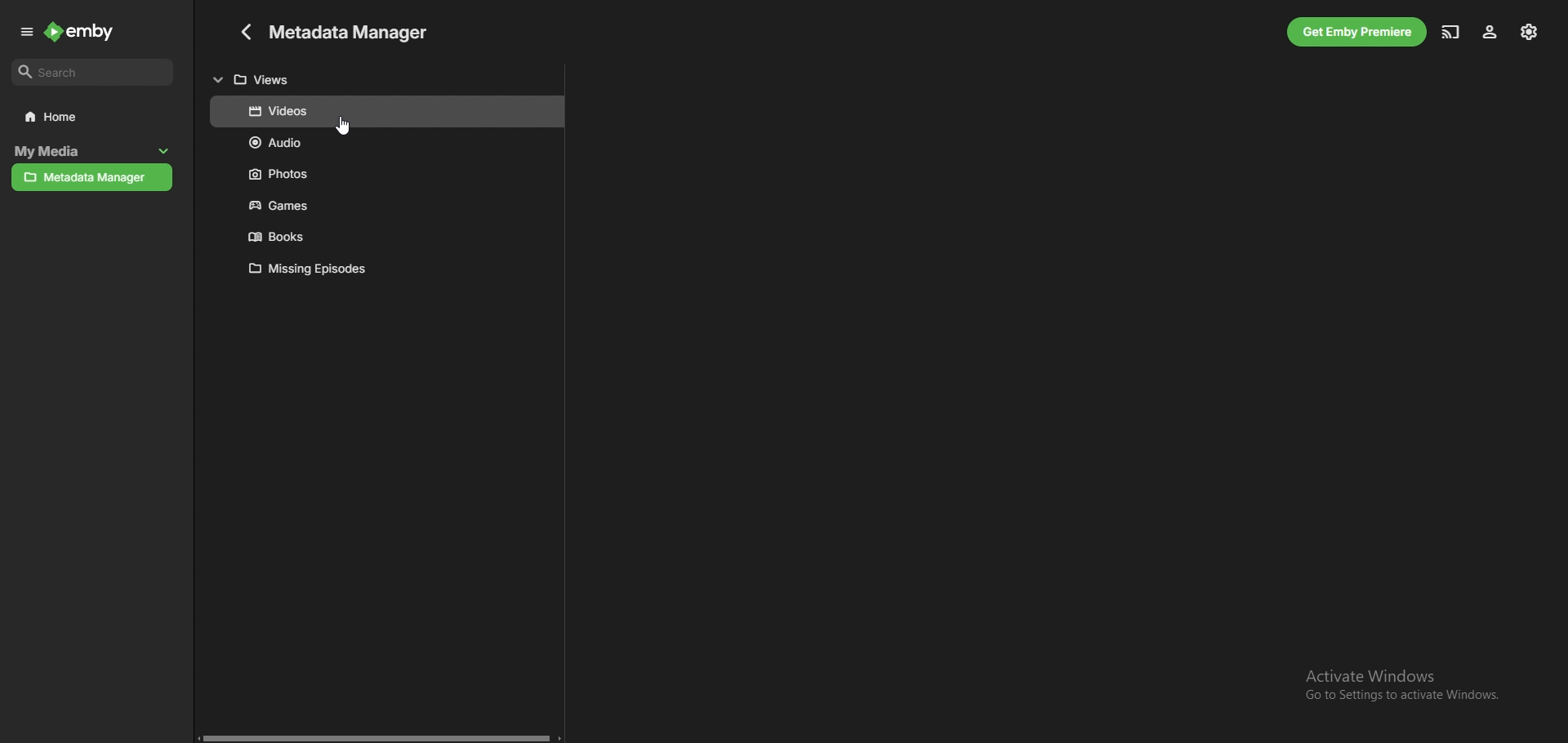  I want to click on Cursor, so click(345, 127).